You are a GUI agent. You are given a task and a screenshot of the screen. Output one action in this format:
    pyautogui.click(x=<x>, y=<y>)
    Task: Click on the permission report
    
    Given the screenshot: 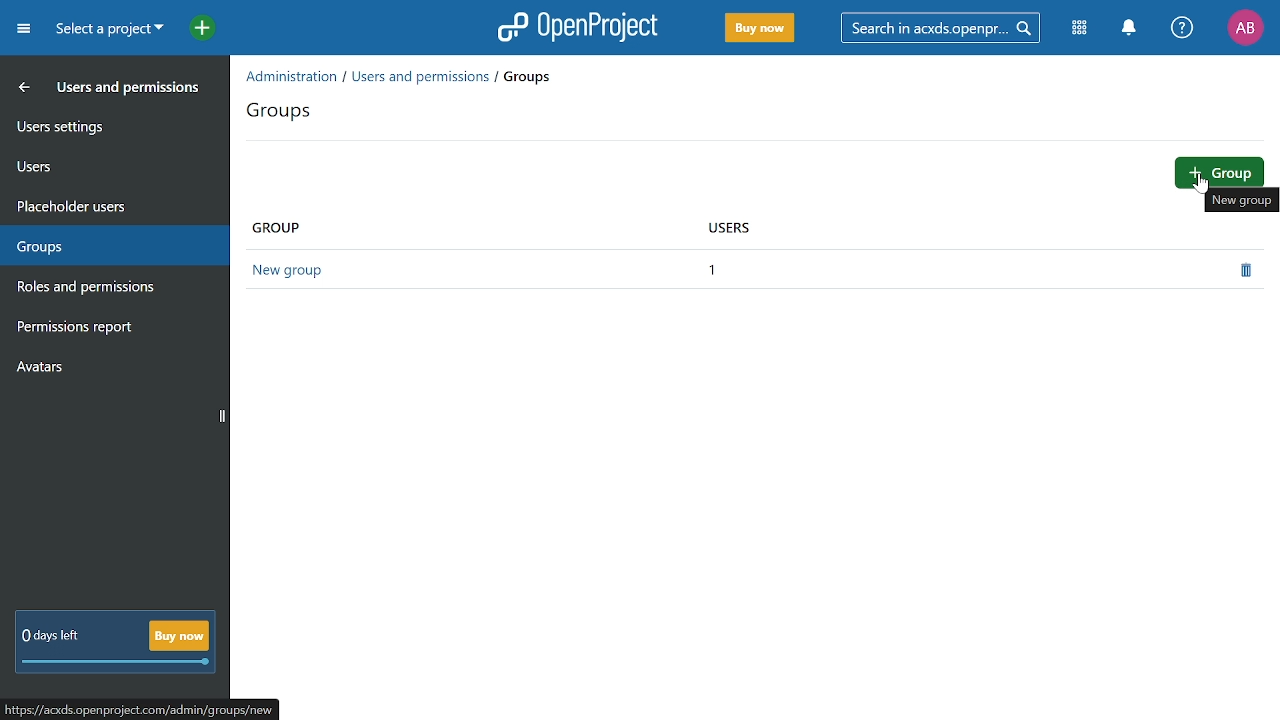 What is the action you would take?
    pyautogui.click(x=107, y=329)
    